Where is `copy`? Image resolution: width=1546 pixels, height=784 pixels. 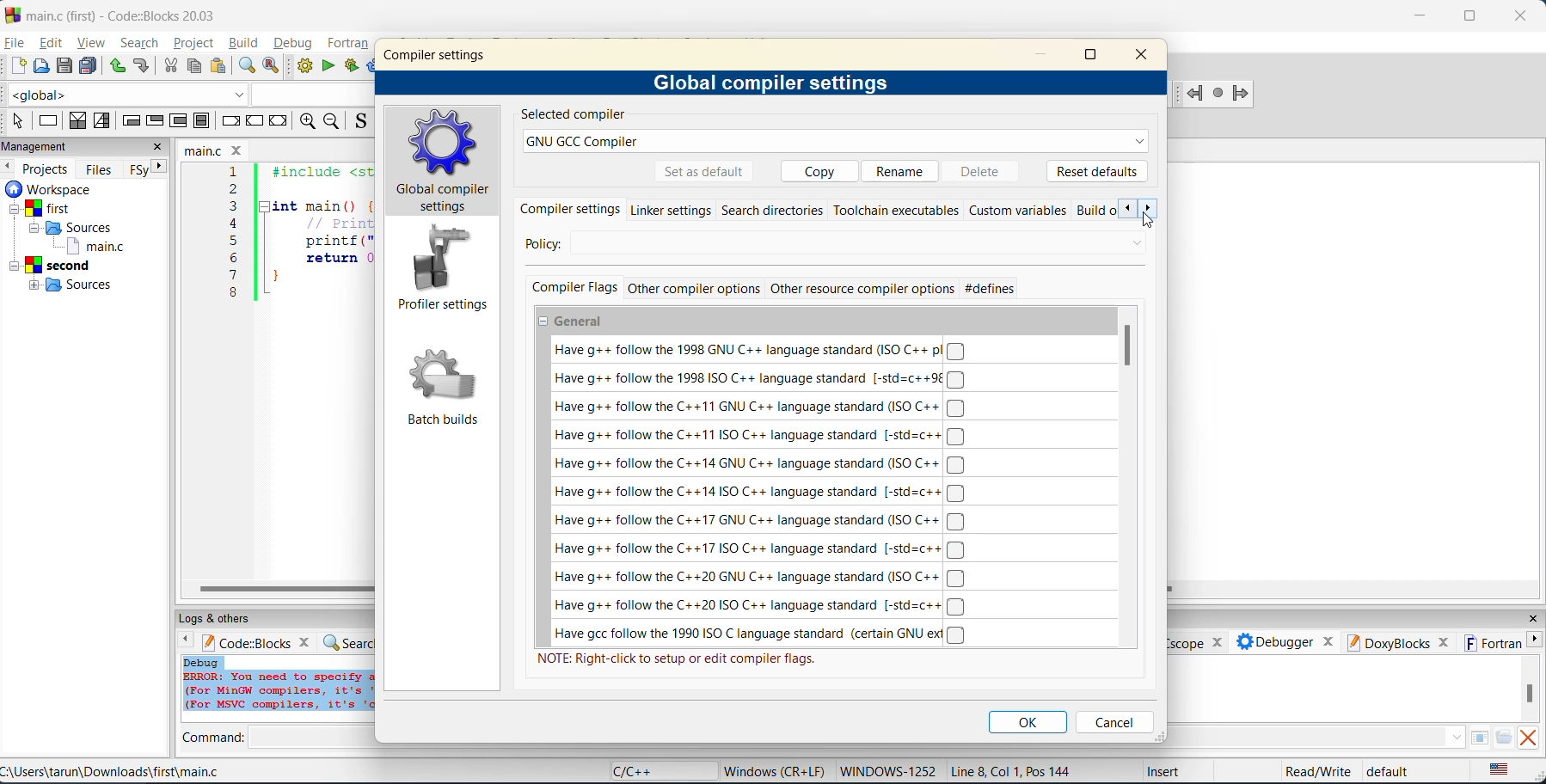
copy is located at coordinates (196, 67).